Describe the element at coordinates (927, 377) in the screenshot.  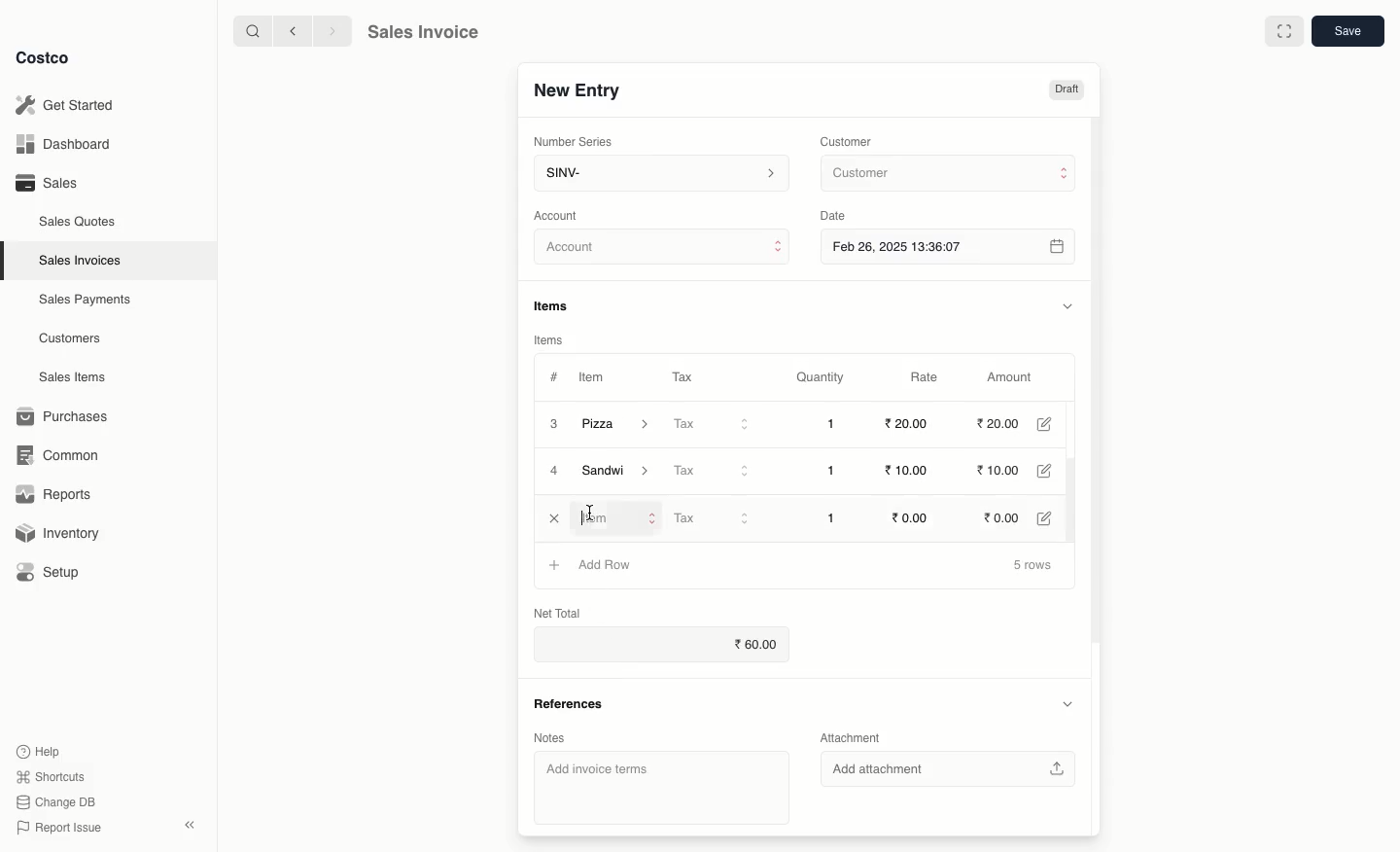
I see `Rate` at that location.